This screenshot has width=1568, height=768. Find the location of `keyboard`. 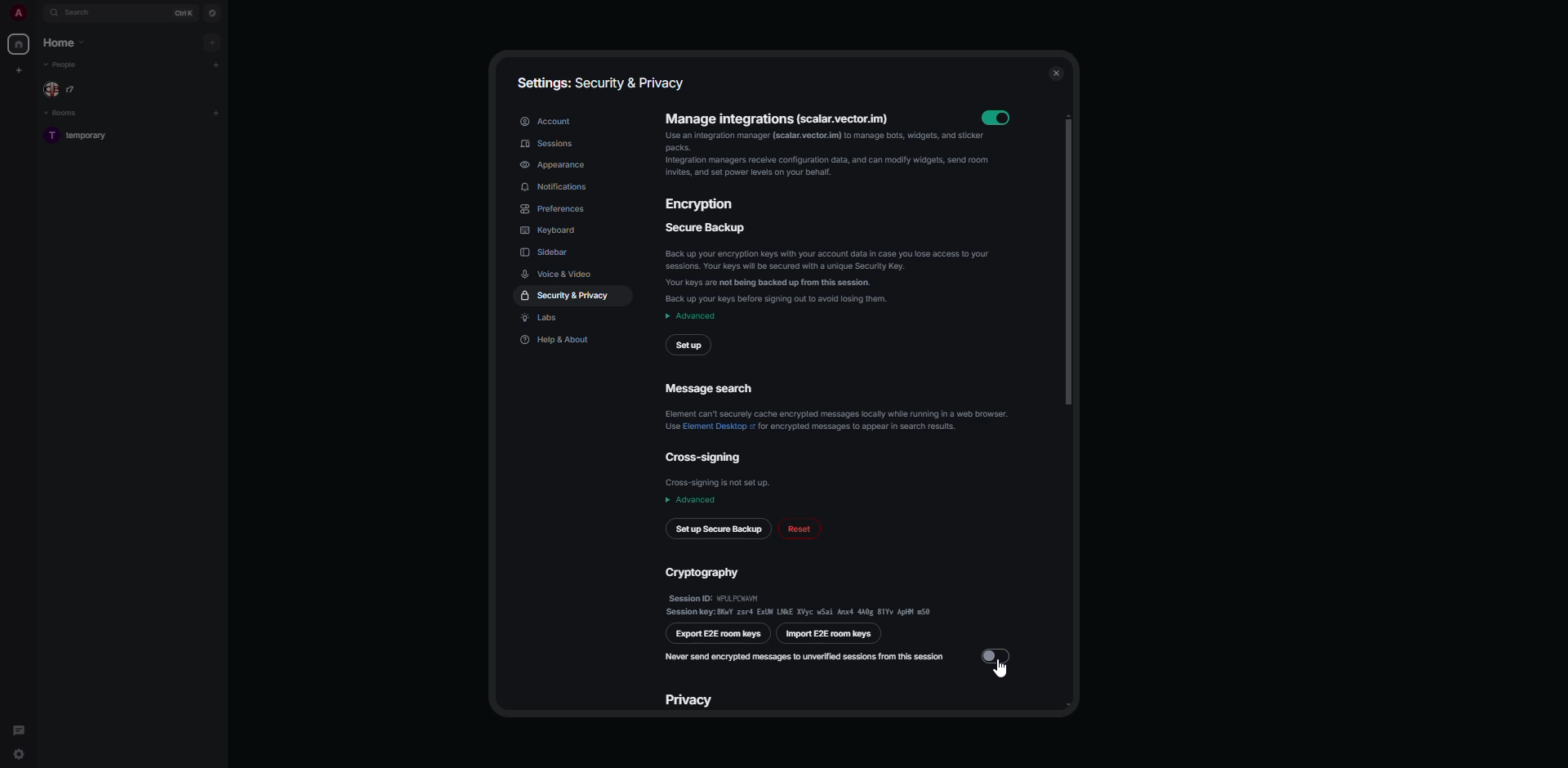

keyboard is located at coordinates (549, 230).